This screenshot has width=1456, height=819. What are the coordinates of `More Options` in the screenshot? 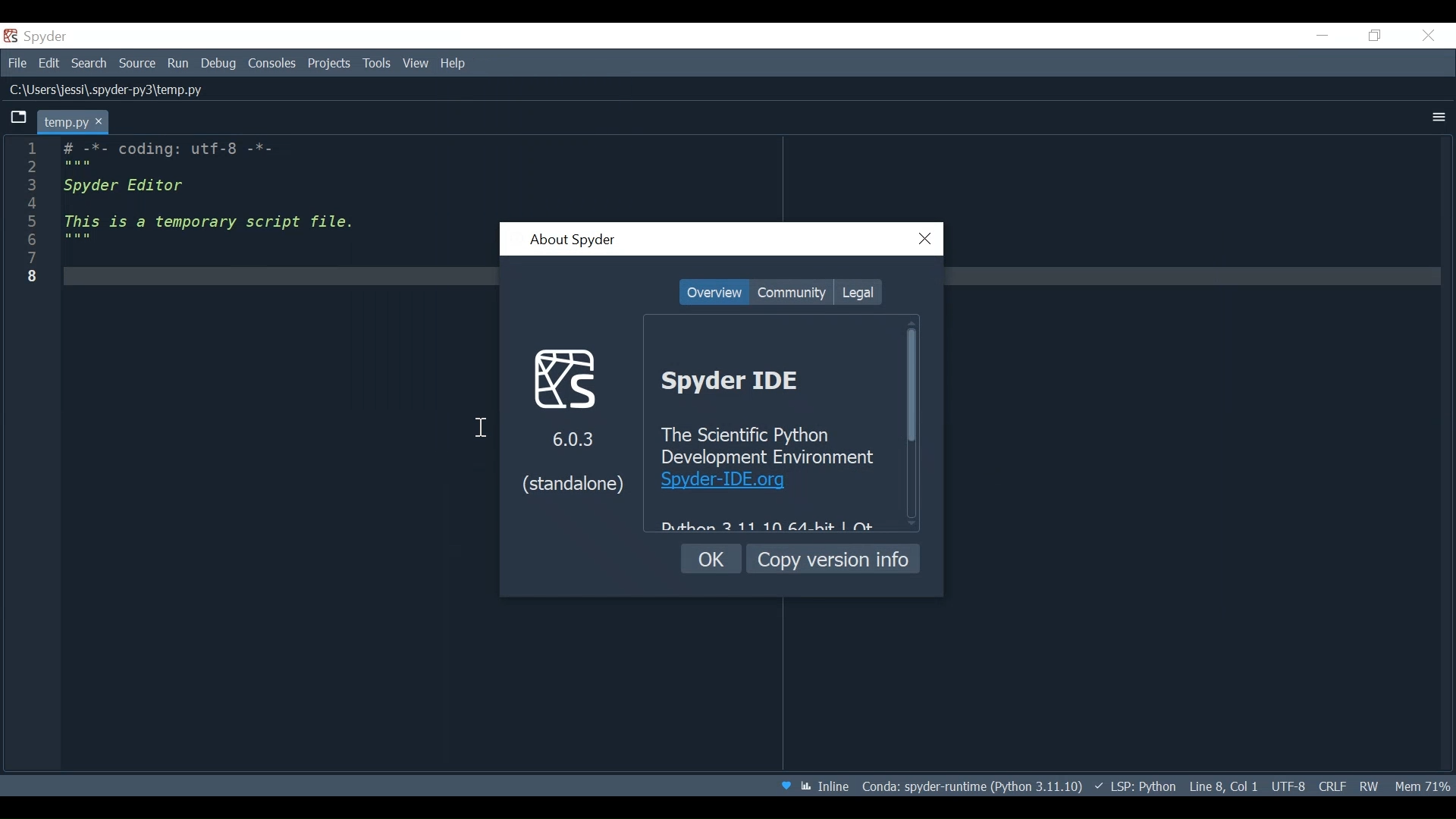 It's located at (1436, 118).